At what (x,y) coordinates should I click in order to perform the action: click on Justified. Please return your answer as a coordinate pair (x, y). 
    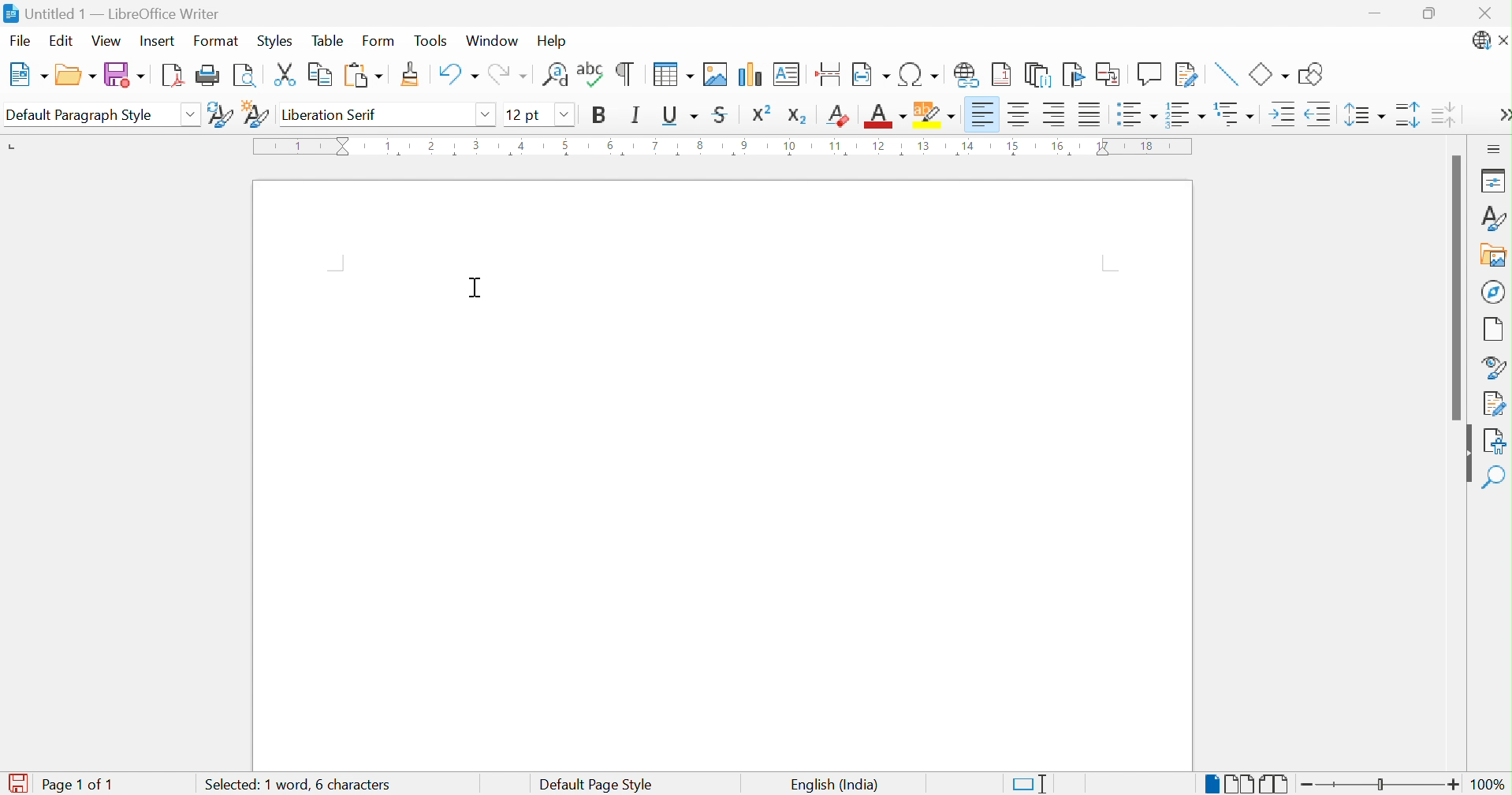
    Looking at the image, I should click on (1089, 116).